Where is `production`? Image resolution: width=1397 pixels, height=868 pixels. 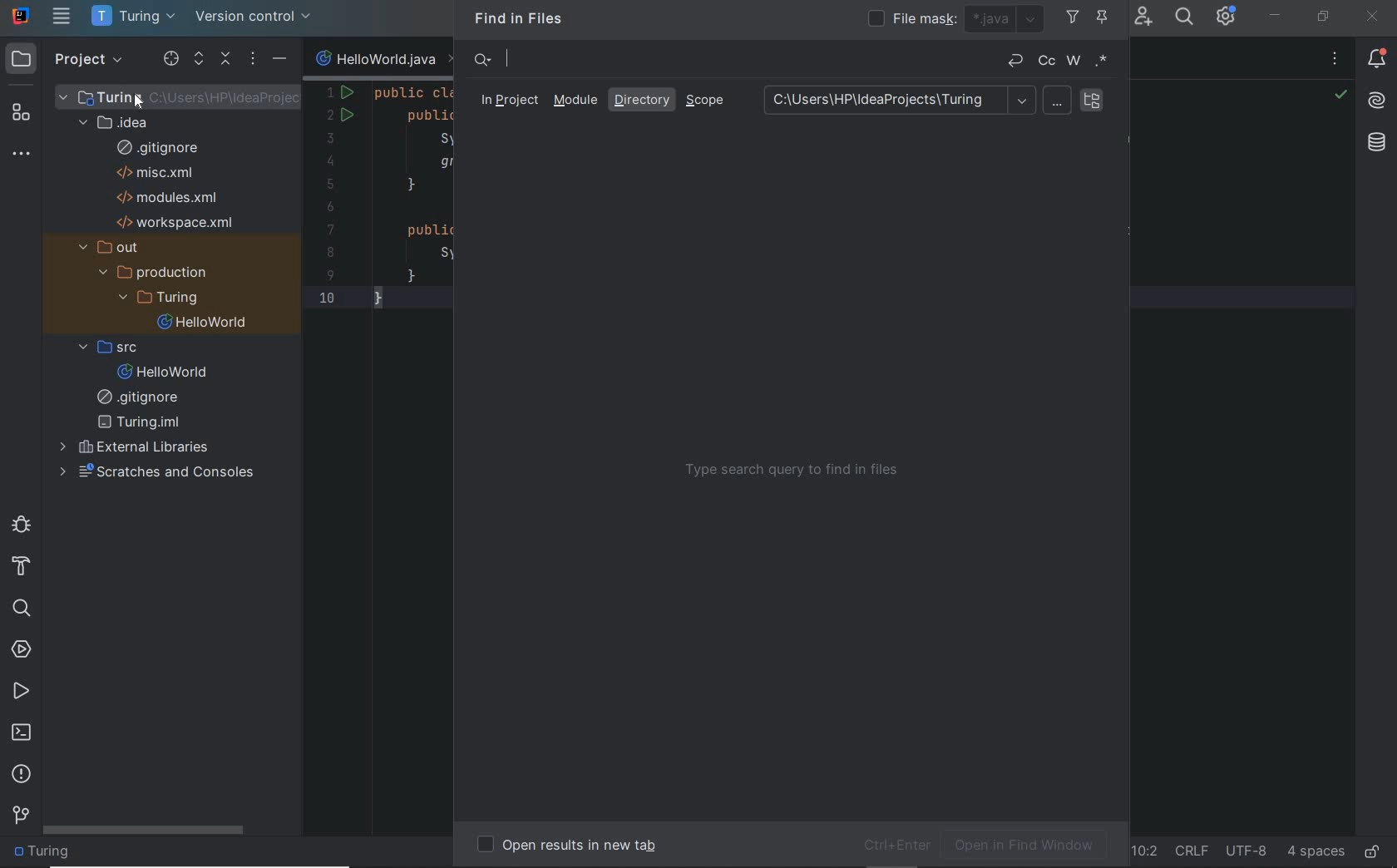
production is located at coordinates (159, 274).